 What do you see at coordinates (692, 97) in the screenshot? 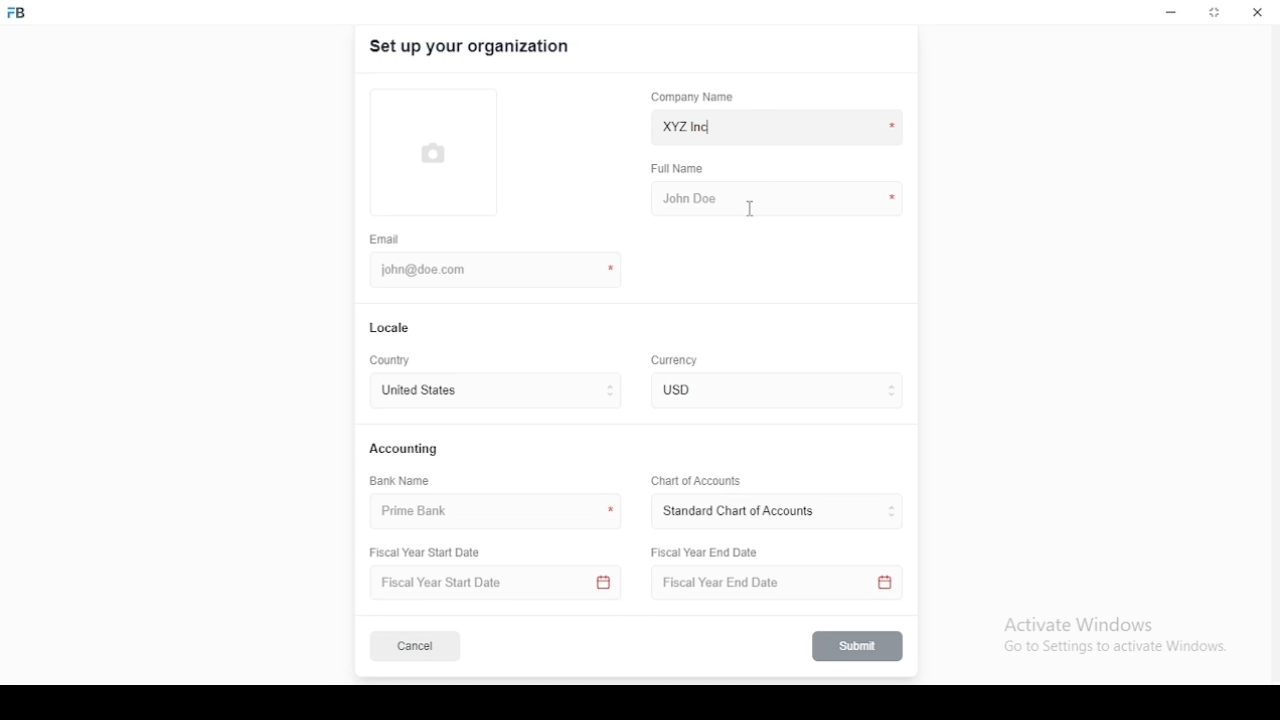
I see `company name` at bounding box center [692, 97].